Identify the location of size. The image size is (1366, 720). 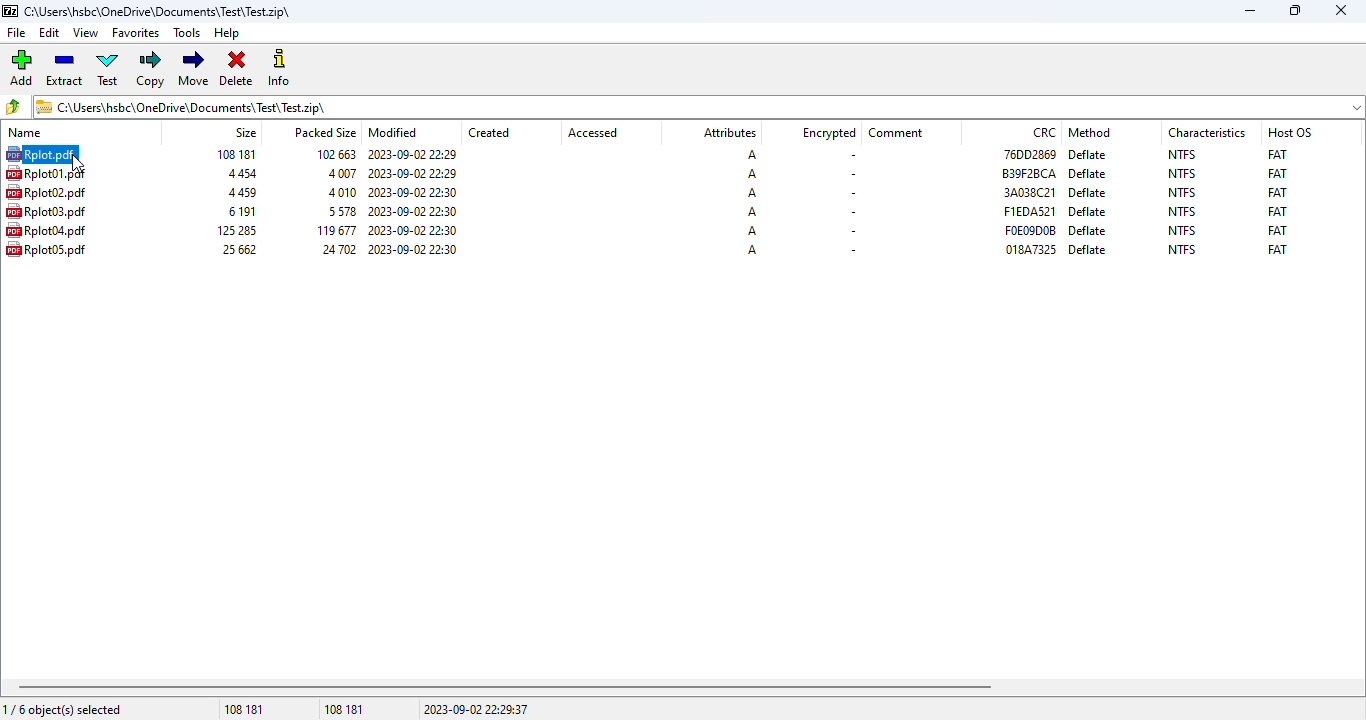
(240, 211).